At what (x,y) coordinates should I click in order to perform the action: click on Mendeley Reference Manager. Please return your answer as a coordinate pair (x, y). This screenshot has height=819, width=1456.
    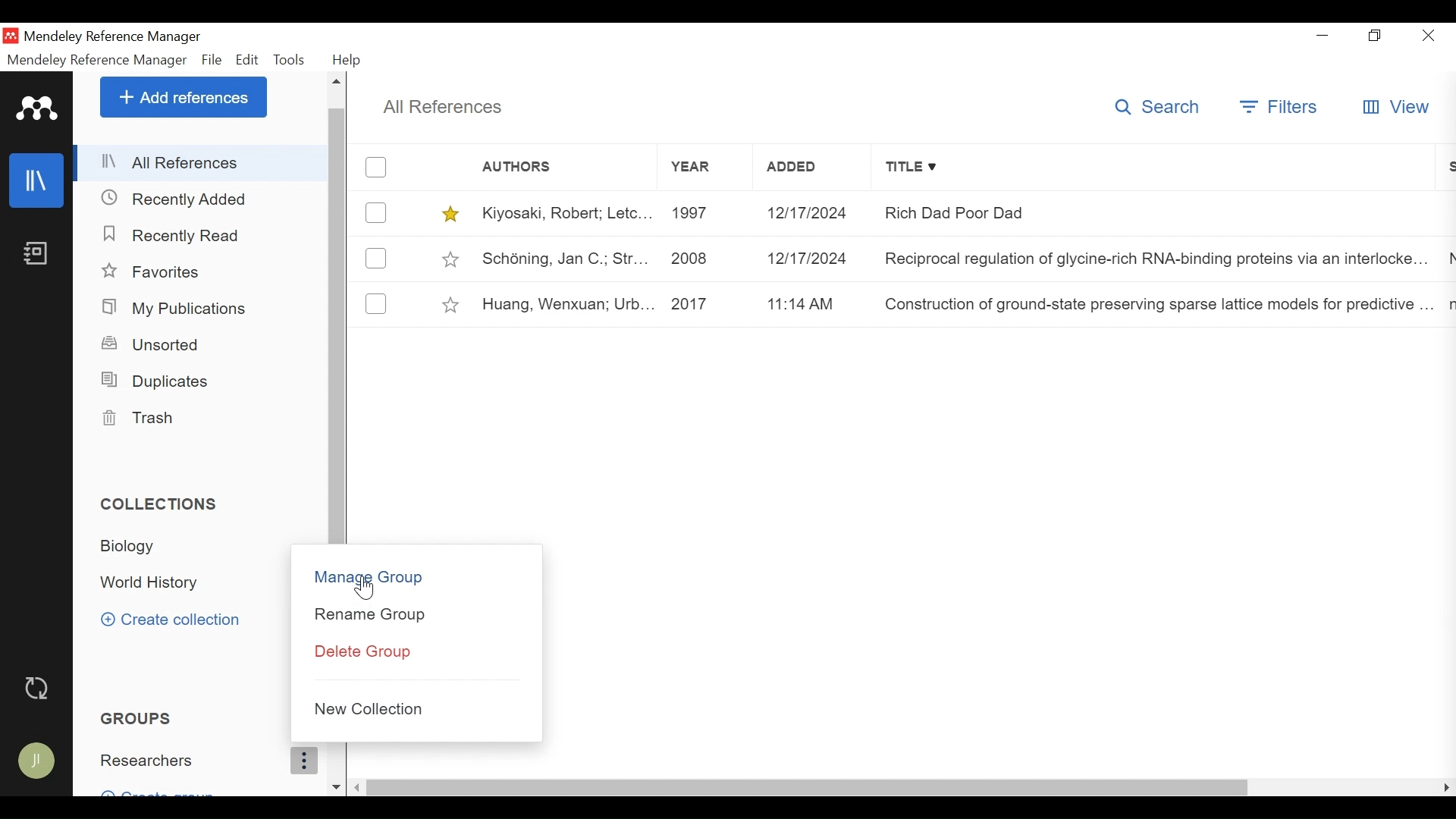
    Looking at the image, I should click on (112, 36).